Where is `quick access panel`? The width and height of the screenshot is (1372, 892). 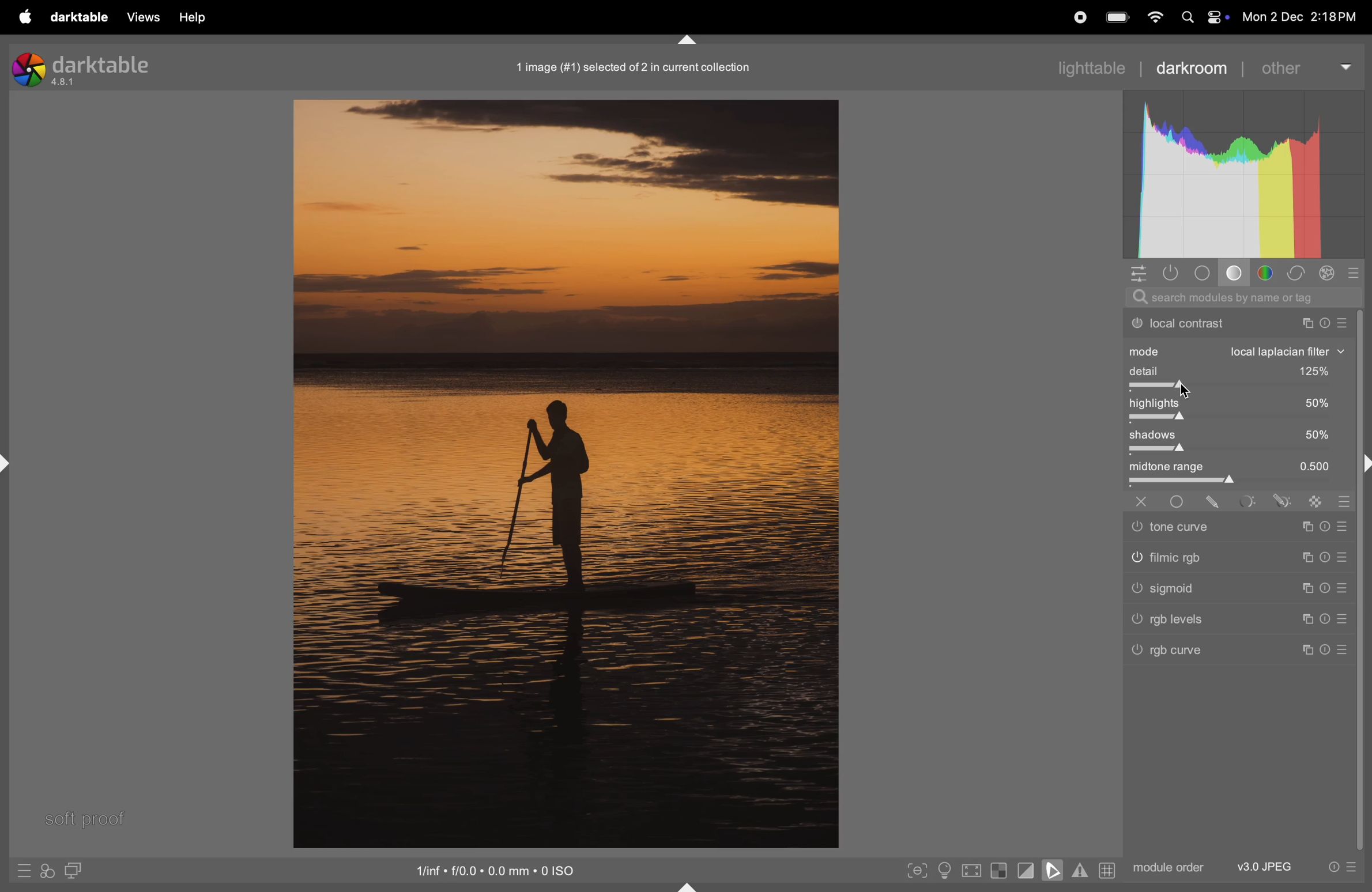 quick access panel is located at coordinates (1136, 273).